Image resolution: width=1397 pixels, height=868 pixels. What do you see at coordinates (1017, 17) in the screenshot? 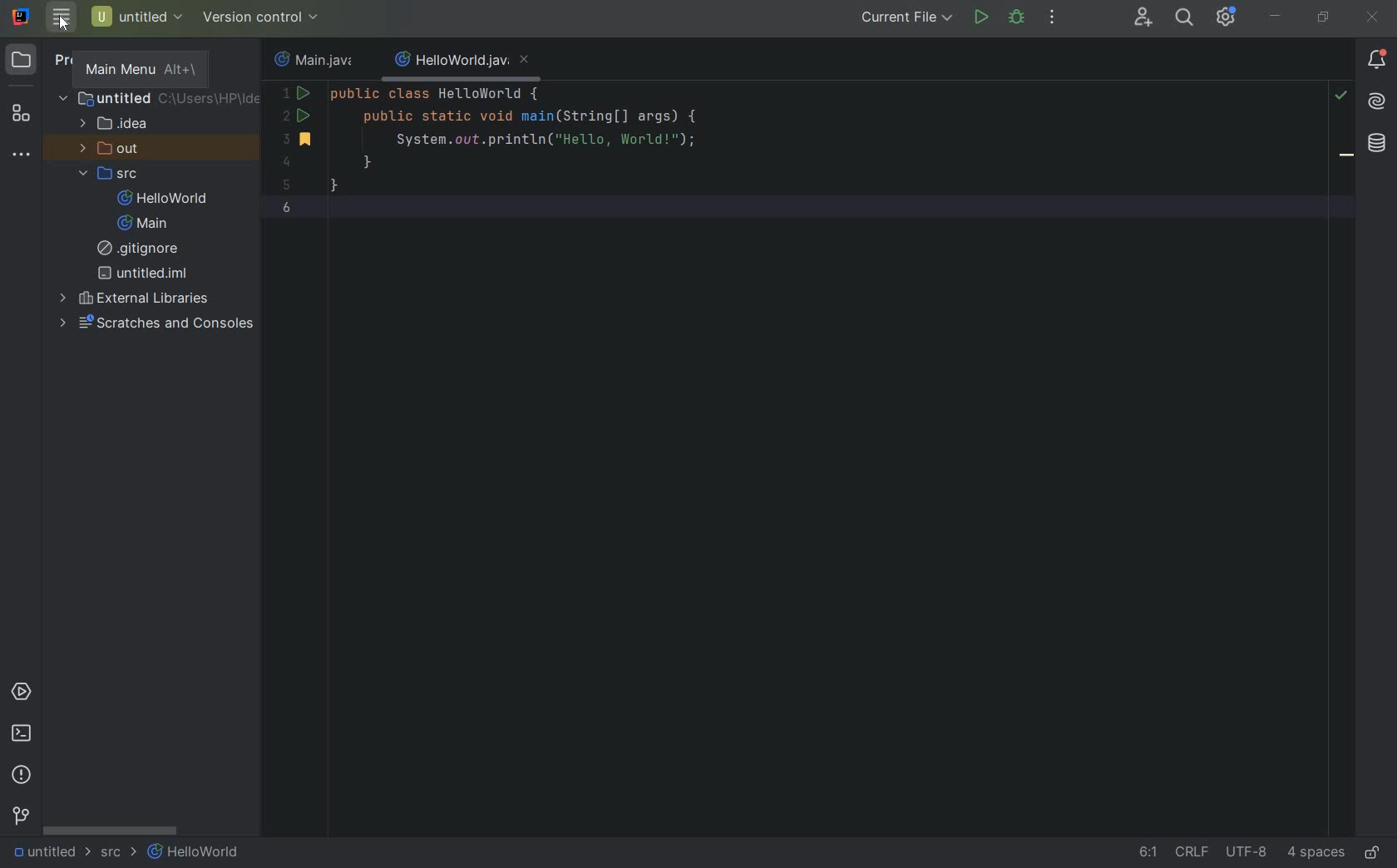
I see `debug` at bounding box center [1017, 17].